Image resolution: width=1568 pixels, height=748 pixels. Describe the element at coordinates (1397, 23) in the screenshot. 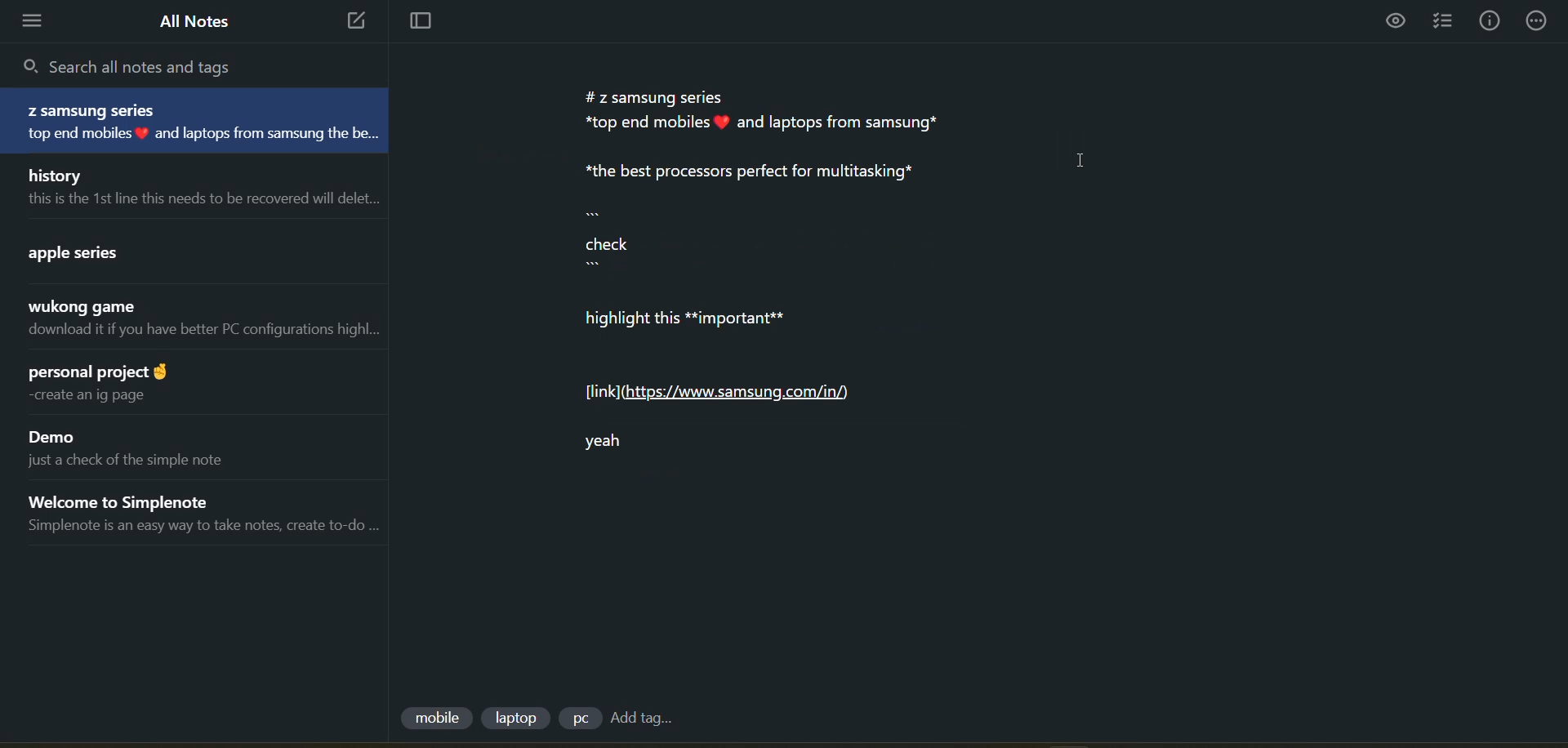

I see `preview` at that location.